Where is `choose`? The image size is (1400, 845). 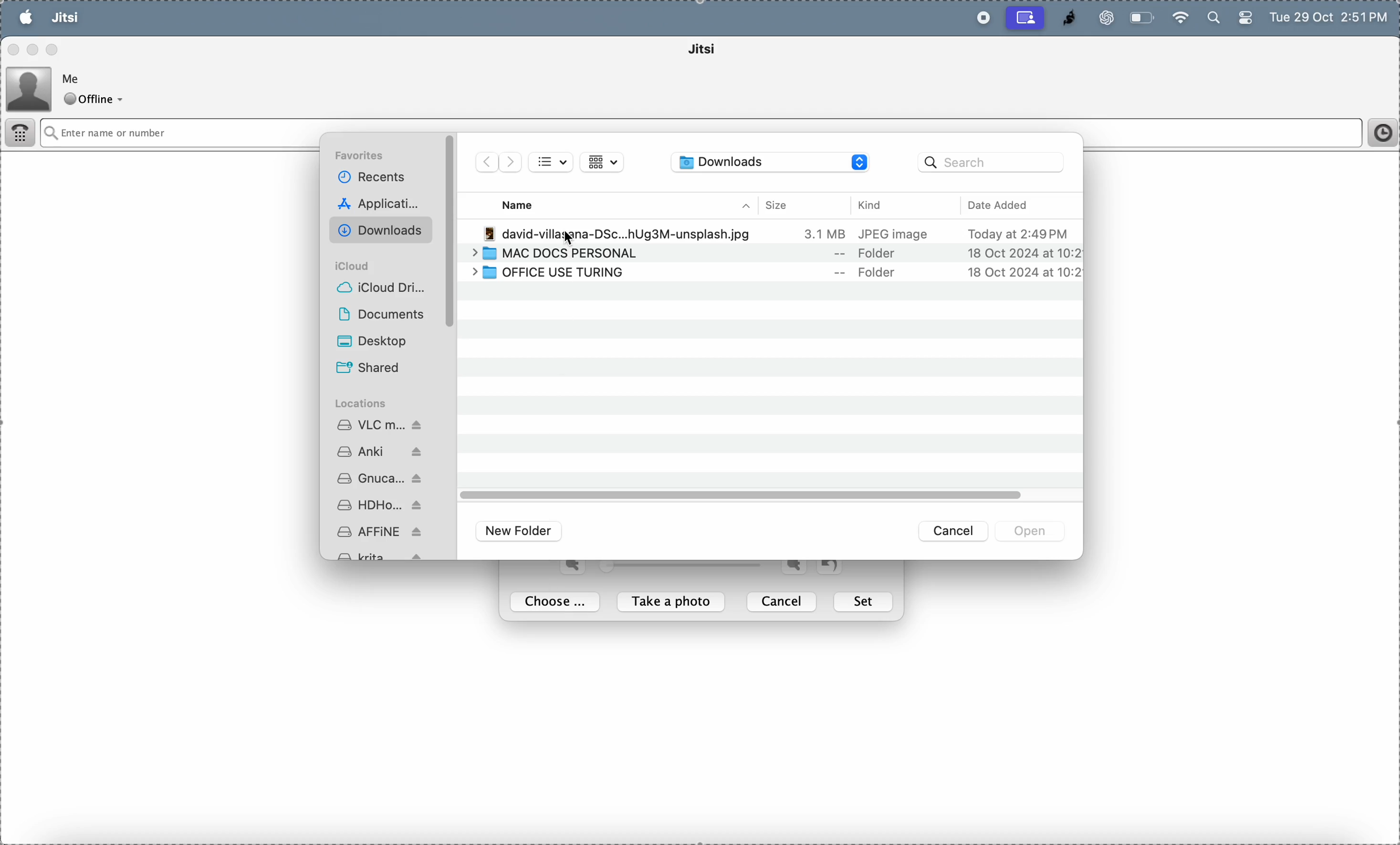 choose is located at coordinates (558, 603).